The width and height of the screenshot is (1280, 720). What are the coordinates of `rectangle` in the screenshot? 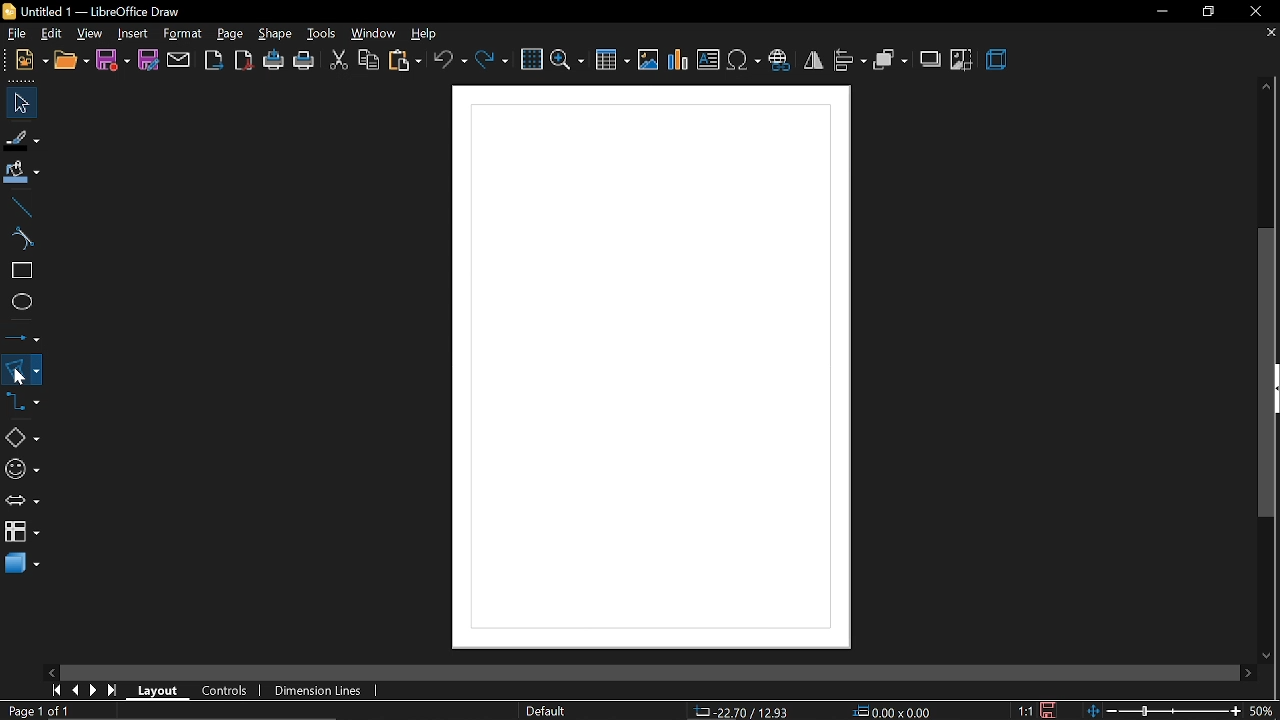 It's located at (19, 272).